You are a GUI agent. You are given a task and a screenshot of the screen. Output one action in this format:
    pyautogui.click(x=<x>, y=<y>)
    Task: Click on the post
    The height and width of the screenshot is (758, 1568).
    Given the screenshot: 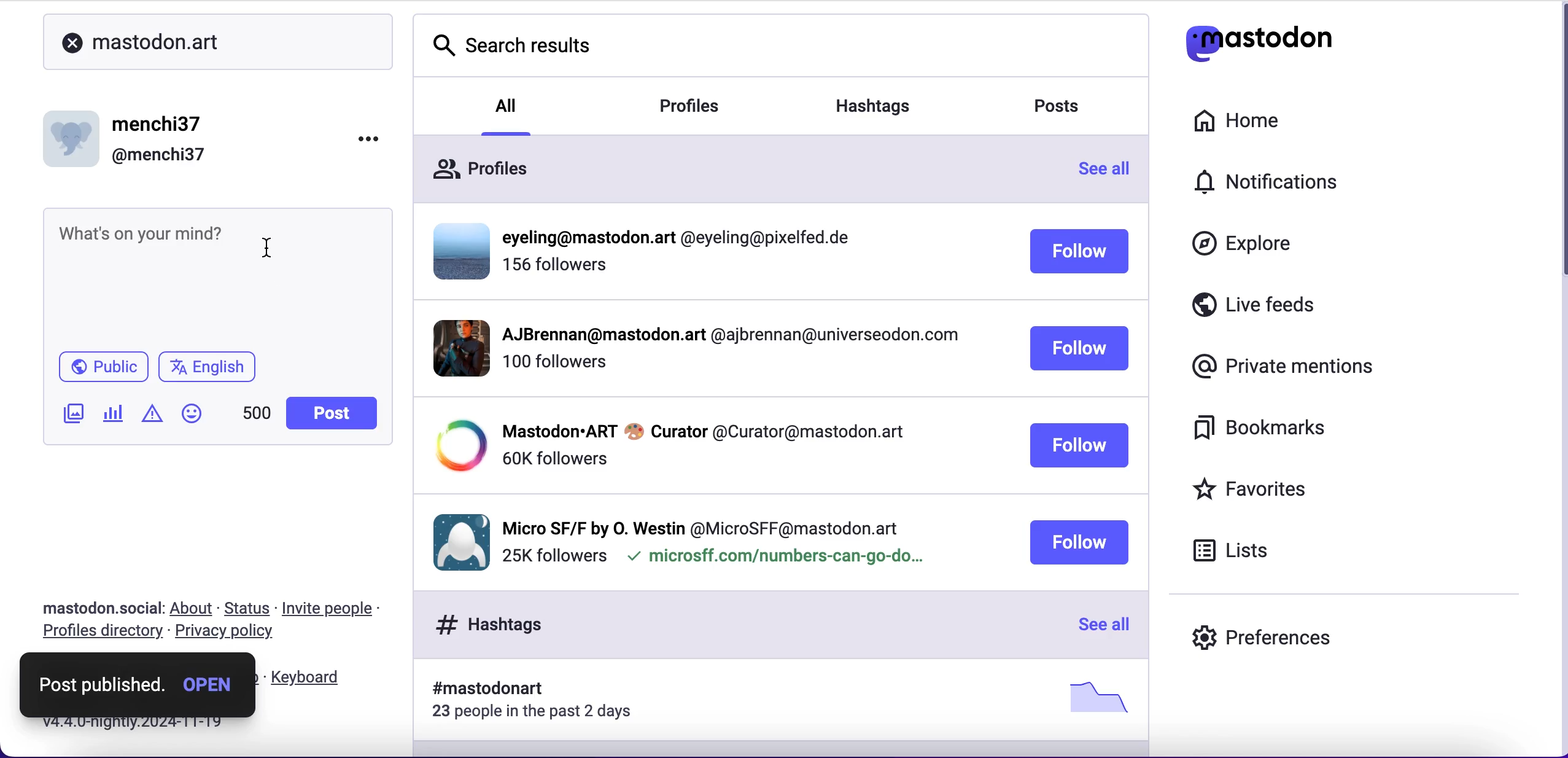 What is the action you would take?
    pyautogui.click(x=330, y=413)
    